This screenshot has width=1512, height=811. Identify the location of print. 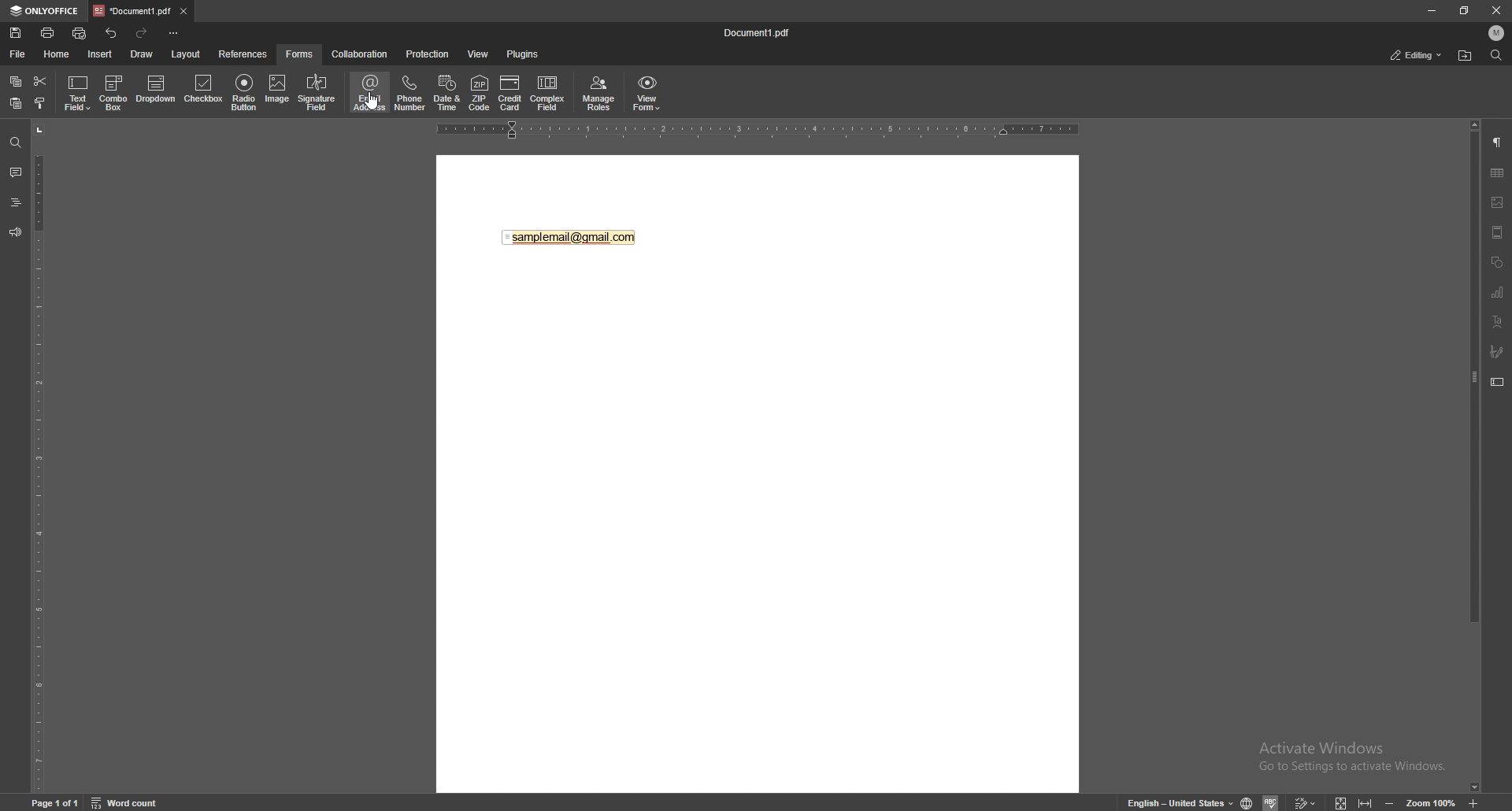
(48, 32).